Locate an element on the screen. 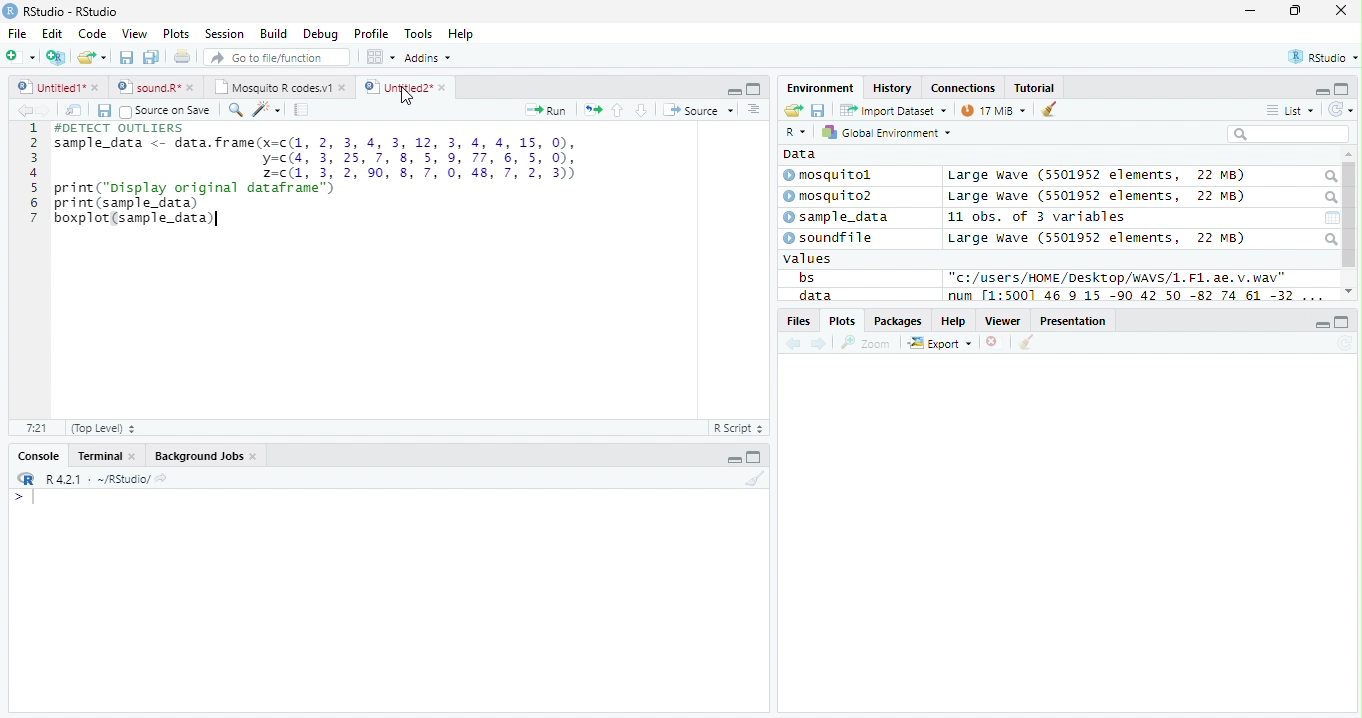  Go to previous section is located at coordinates (616, 110).